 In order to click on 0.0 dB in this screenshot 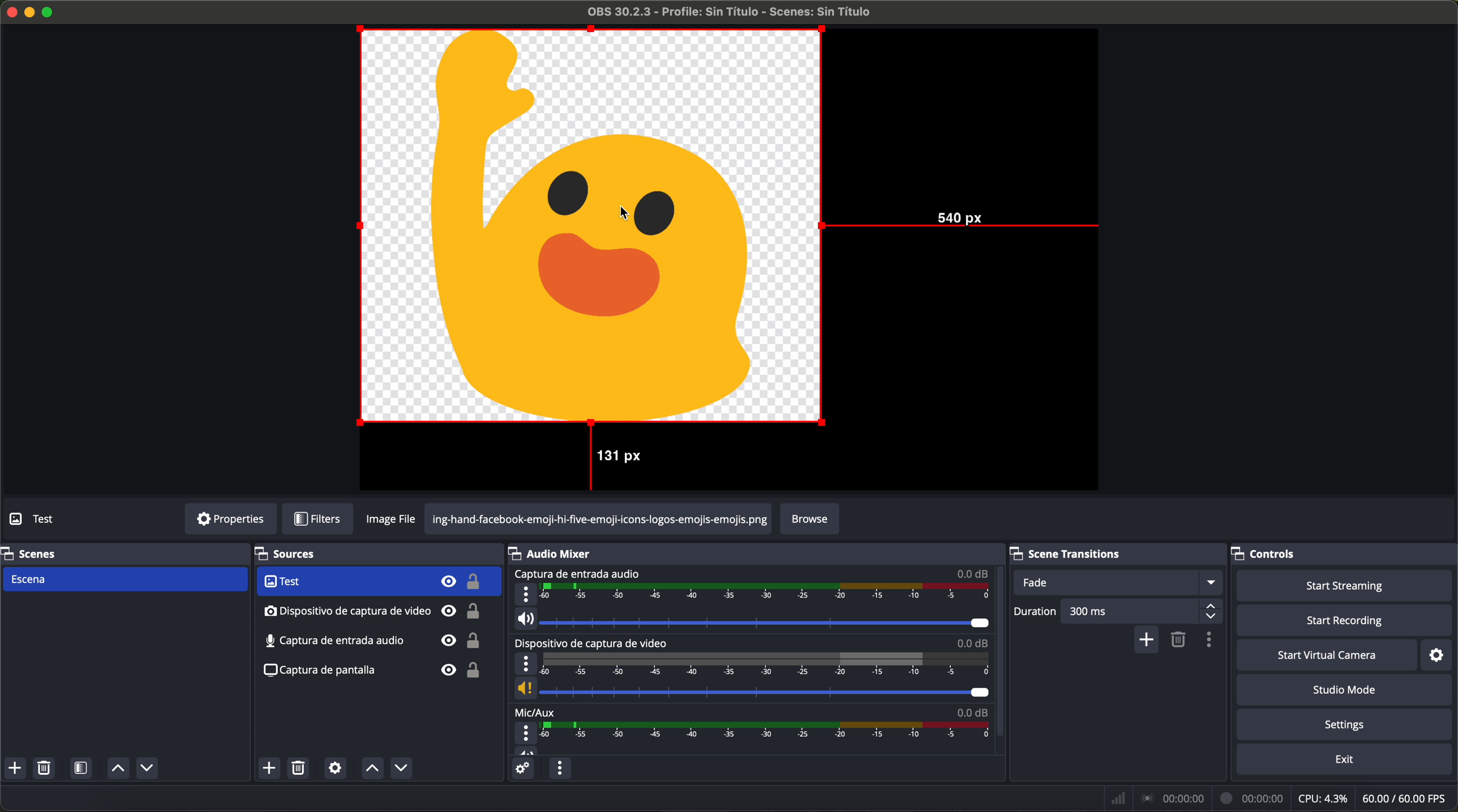, I will do `click(972, 710)`.